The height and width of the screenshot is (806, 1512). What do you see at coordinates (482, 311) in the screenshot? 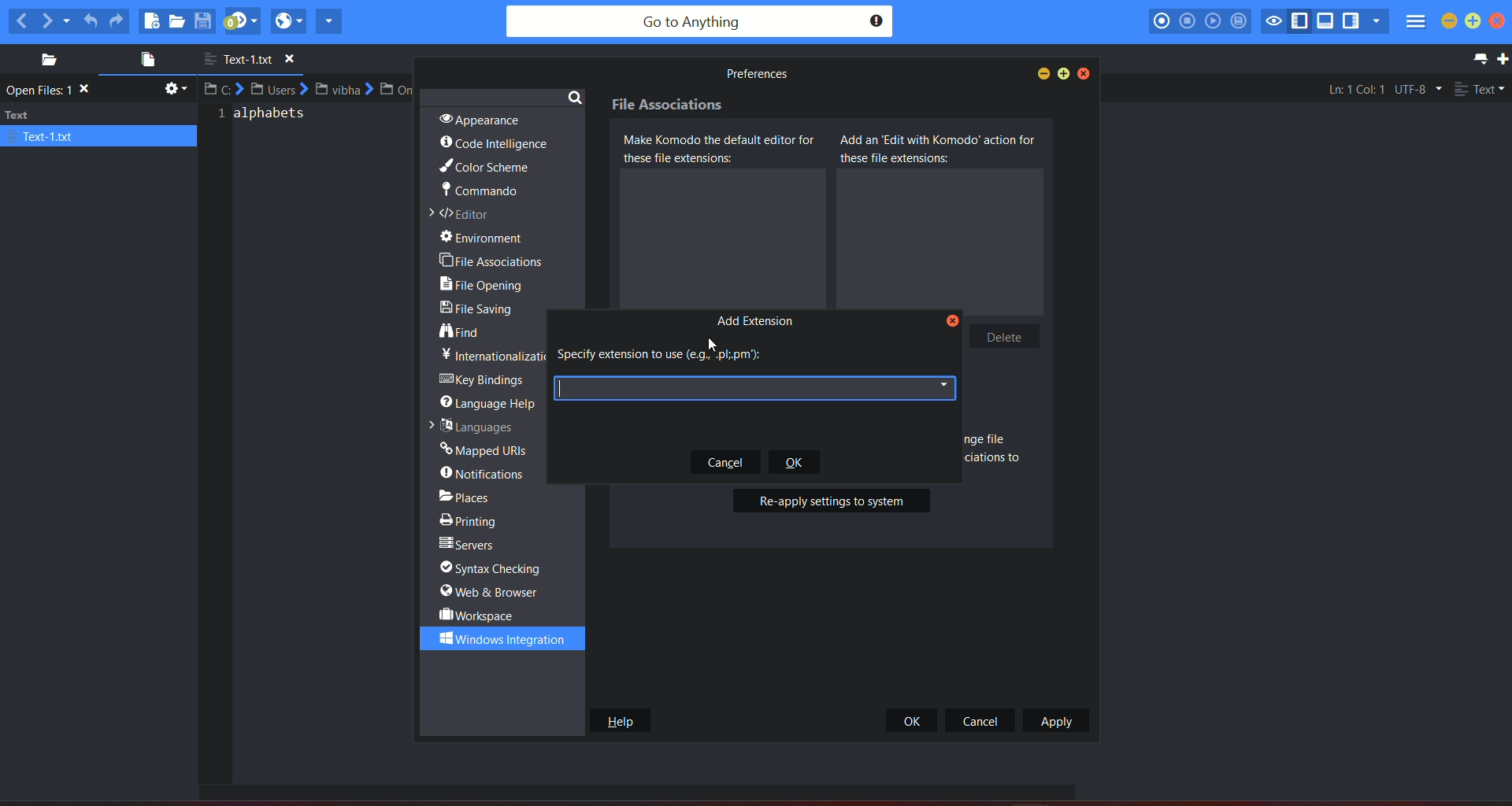
I see `file sharing` at bounding box center [482, 311].